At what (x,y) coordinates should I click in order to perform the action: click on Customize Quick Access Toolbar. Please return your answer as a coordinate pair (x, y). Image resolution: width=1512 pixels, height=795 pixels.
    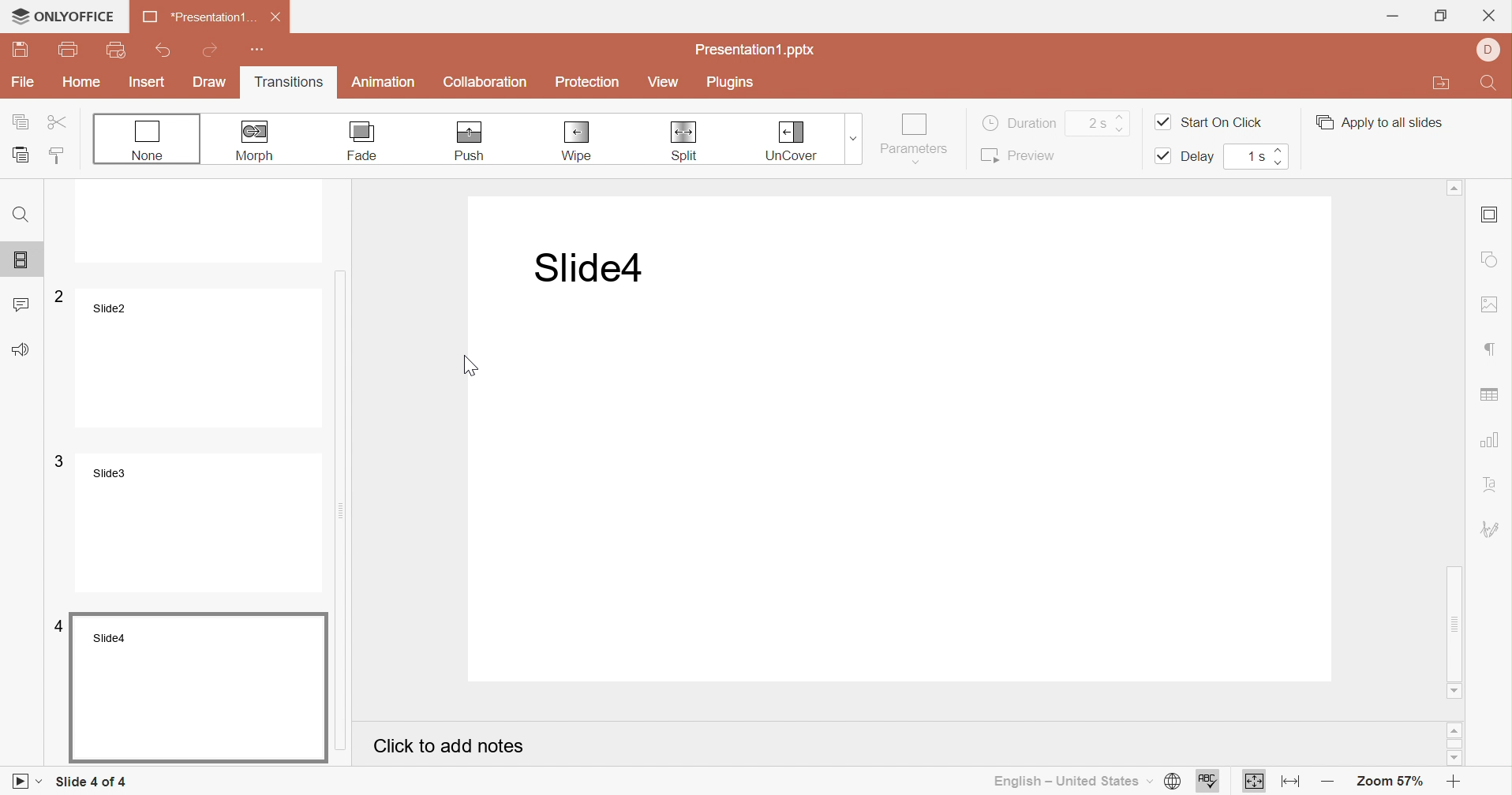
    Looking at the image, I should click on (258, 49).